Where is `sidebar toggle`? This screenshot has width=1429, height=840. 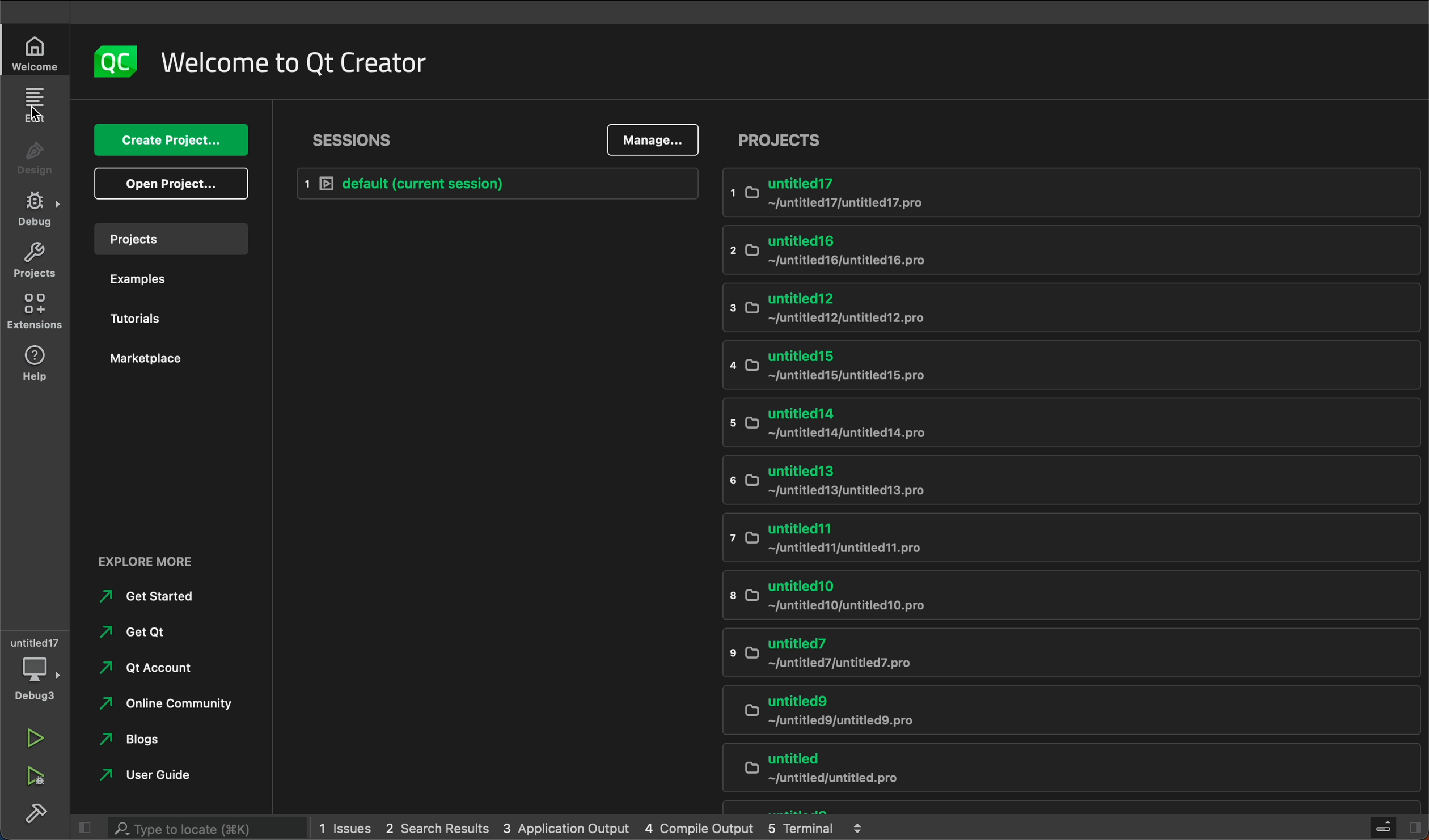
sidebar toggle is located at coordinates (1395, 829).